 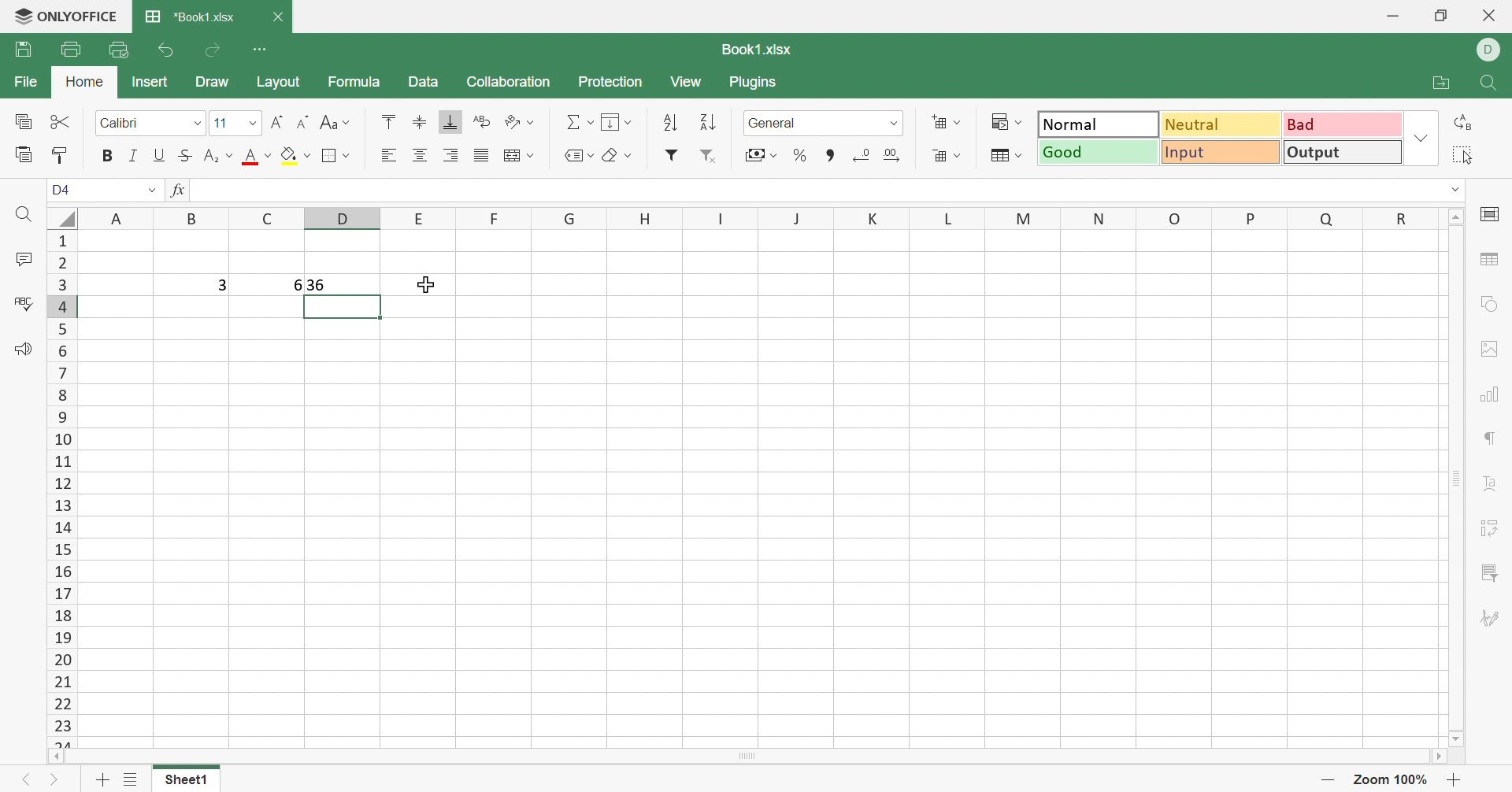 I want to click on Align bottom, so click(x=453, y=121).